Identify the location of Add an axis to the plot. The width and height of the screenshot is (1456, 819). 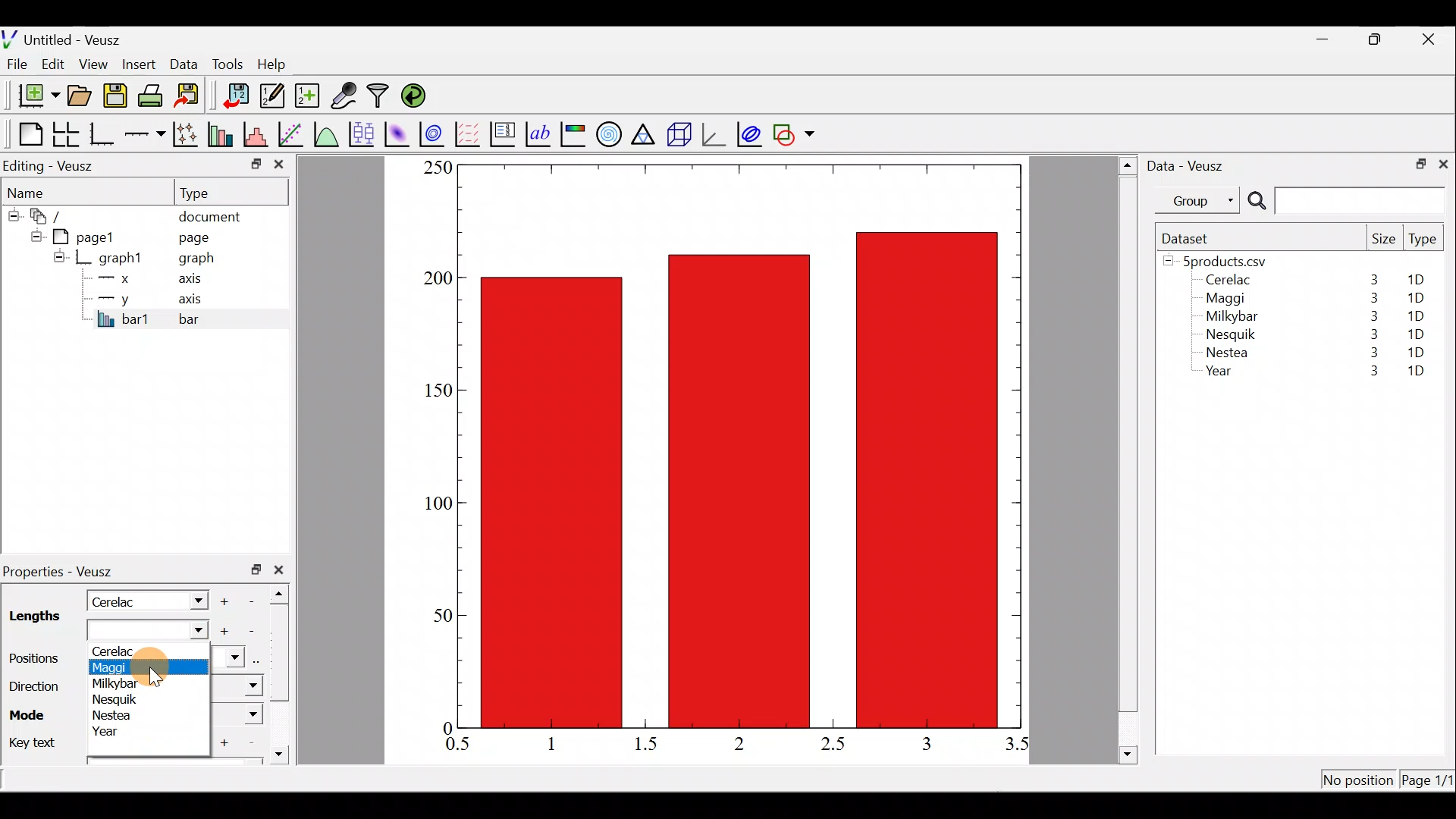
(148, 134).